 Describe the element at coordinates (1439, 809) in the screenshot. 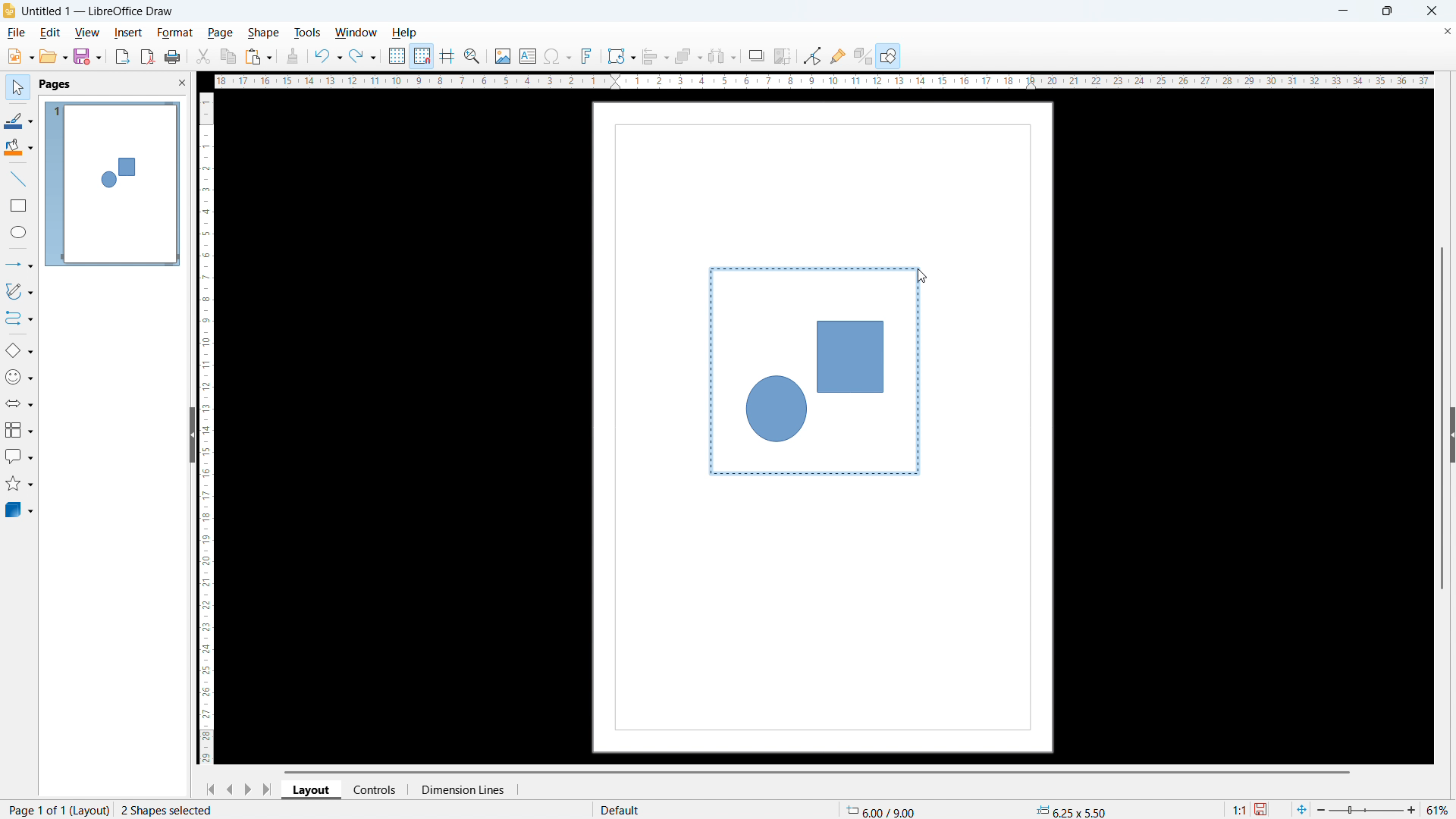

I see `zoom level` at that location.